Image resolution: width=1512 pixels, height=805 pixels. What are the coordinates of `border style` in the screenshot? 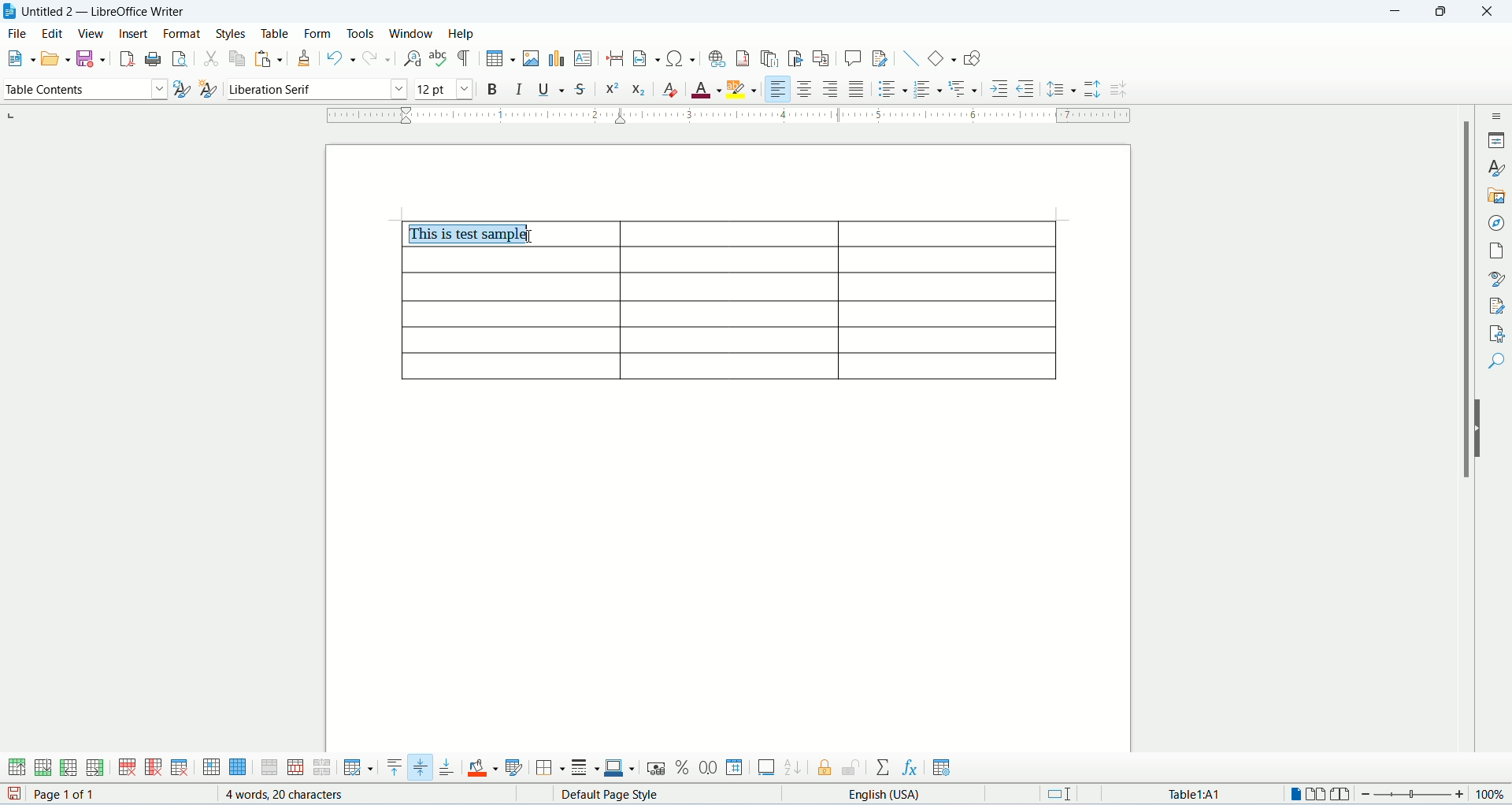 It's located at (586, 768).